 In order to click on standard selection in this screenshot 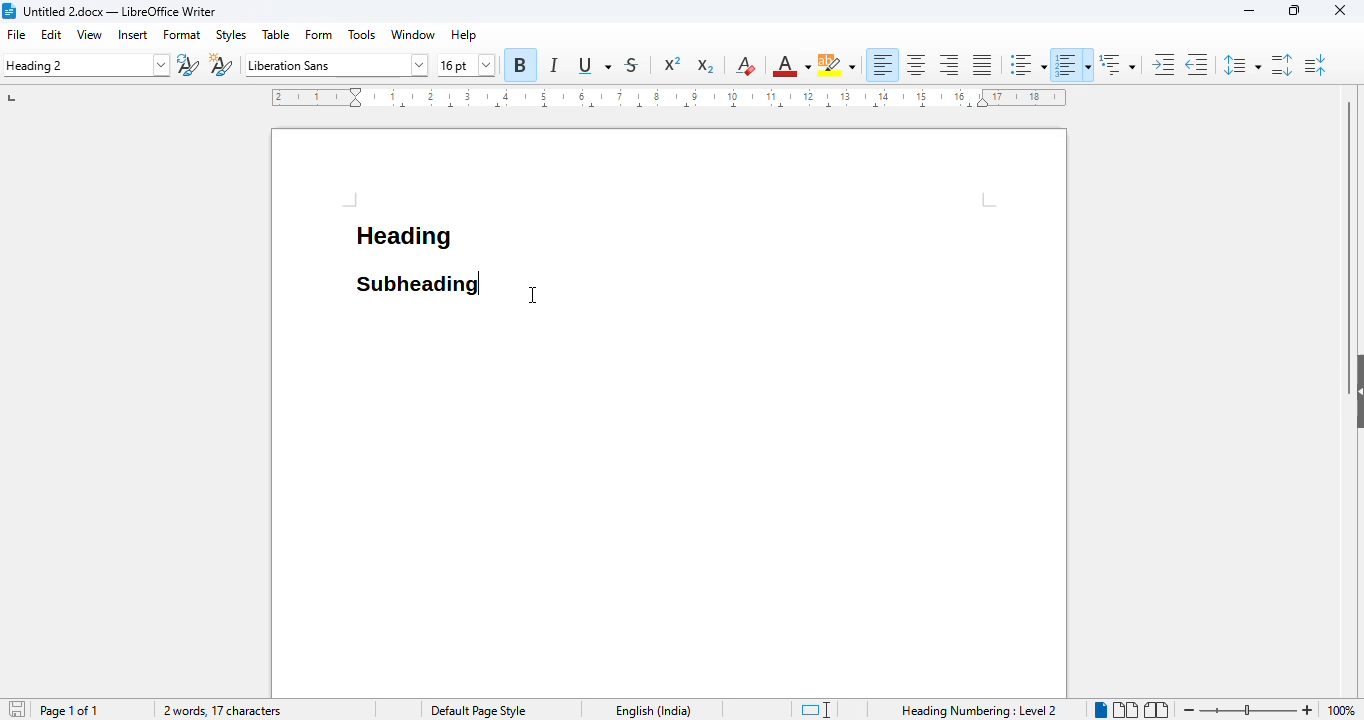, I will do `click(815, 710)`.